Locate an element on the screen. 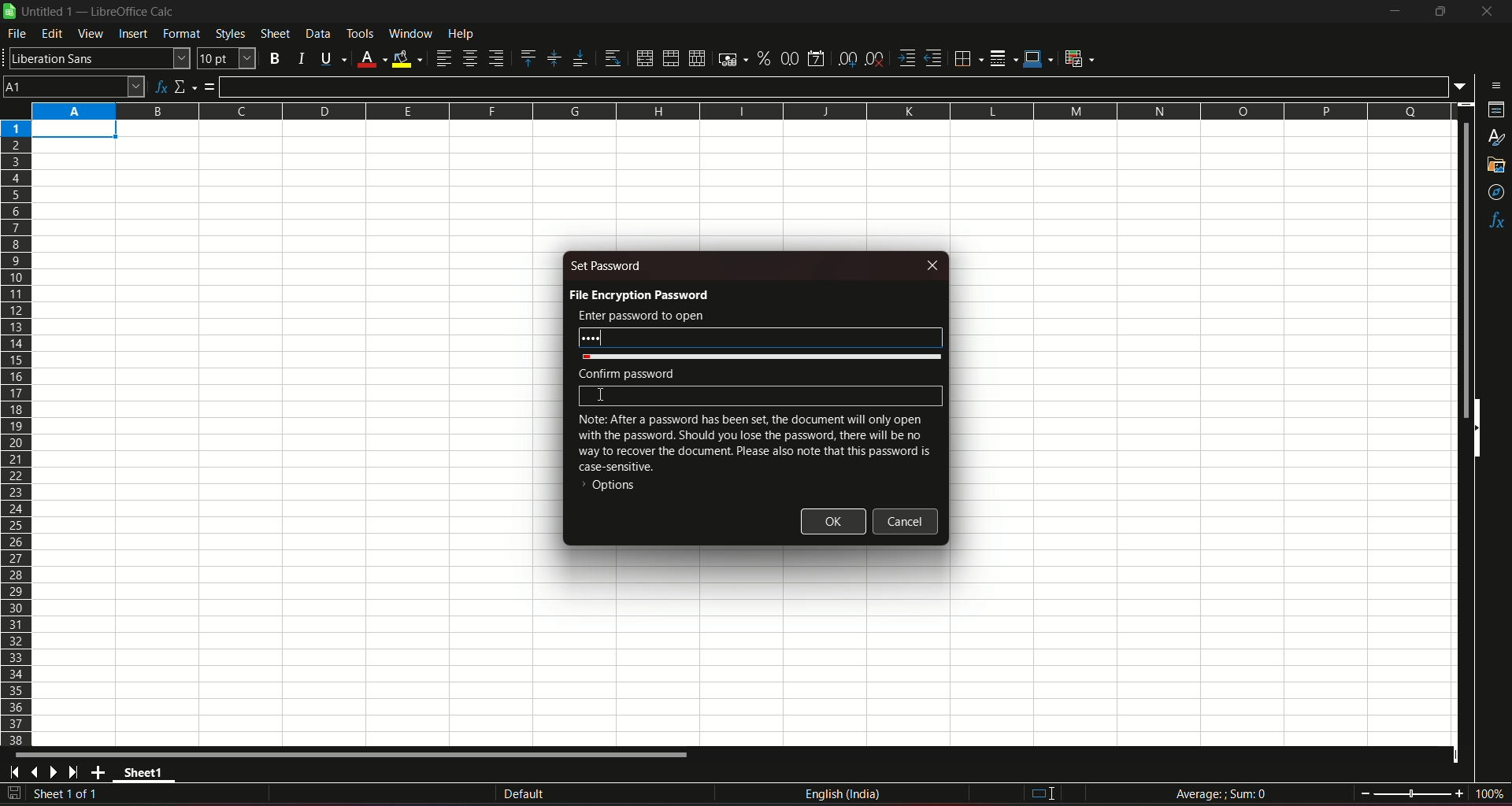  font size is located at coordinates (228, 59).